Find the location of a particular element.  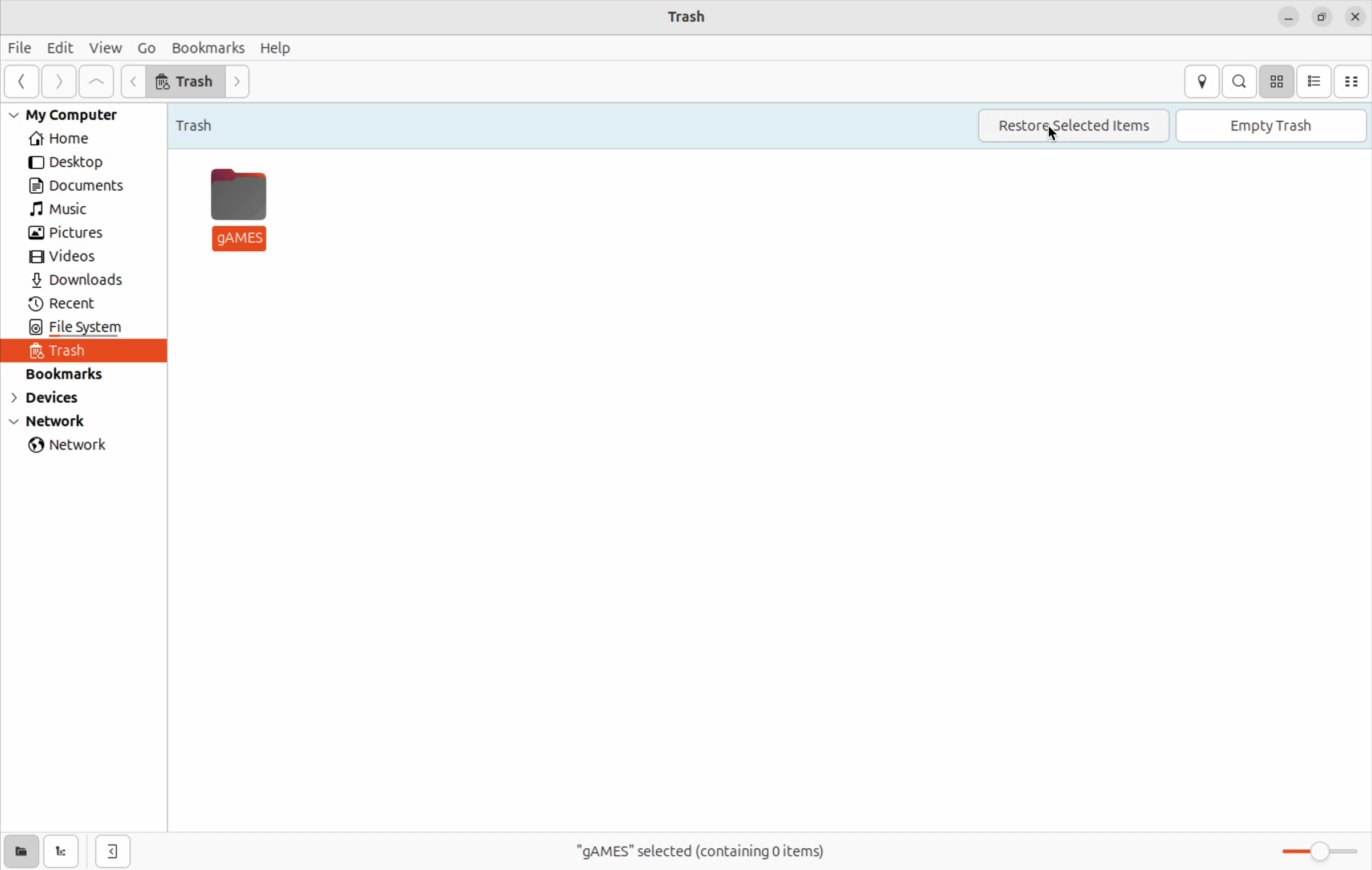

help is located at coordinates (276, 47).